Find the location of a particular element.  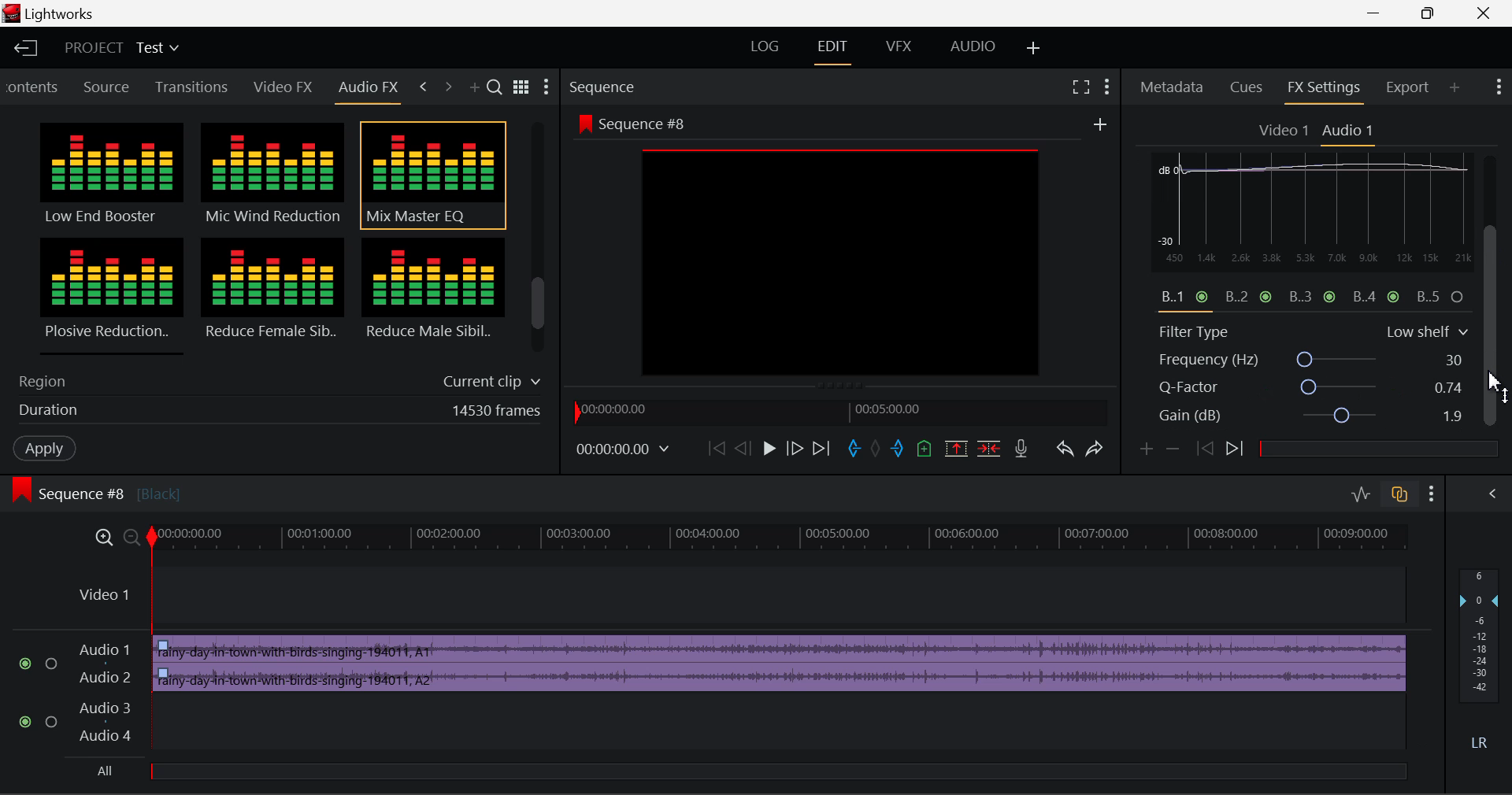

VFX Layout is located at coordinates (902, 50).